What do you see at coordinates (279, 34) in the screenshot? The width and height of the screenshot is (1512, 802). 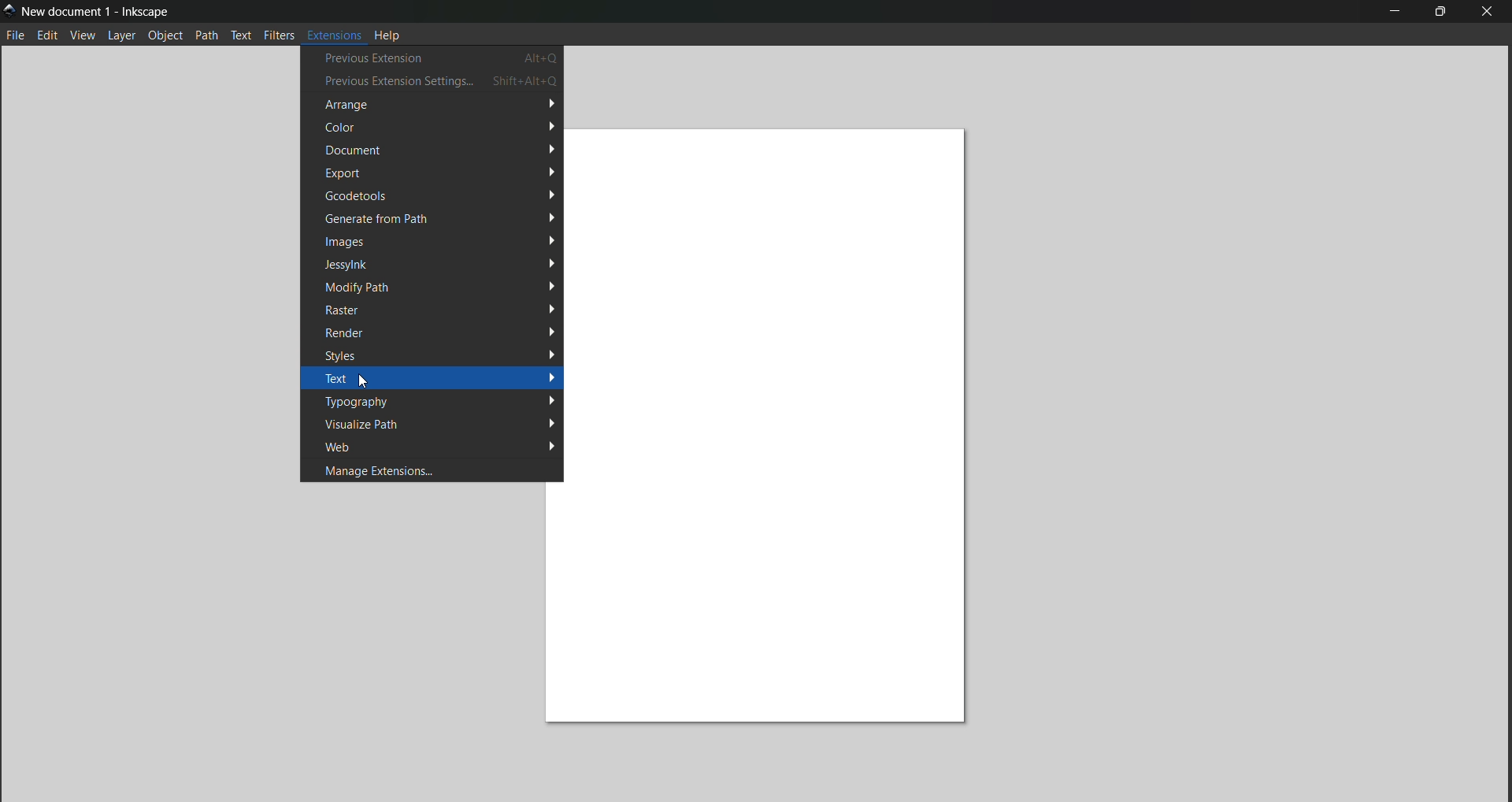 I see `filters` at bounding box center [279, 34].